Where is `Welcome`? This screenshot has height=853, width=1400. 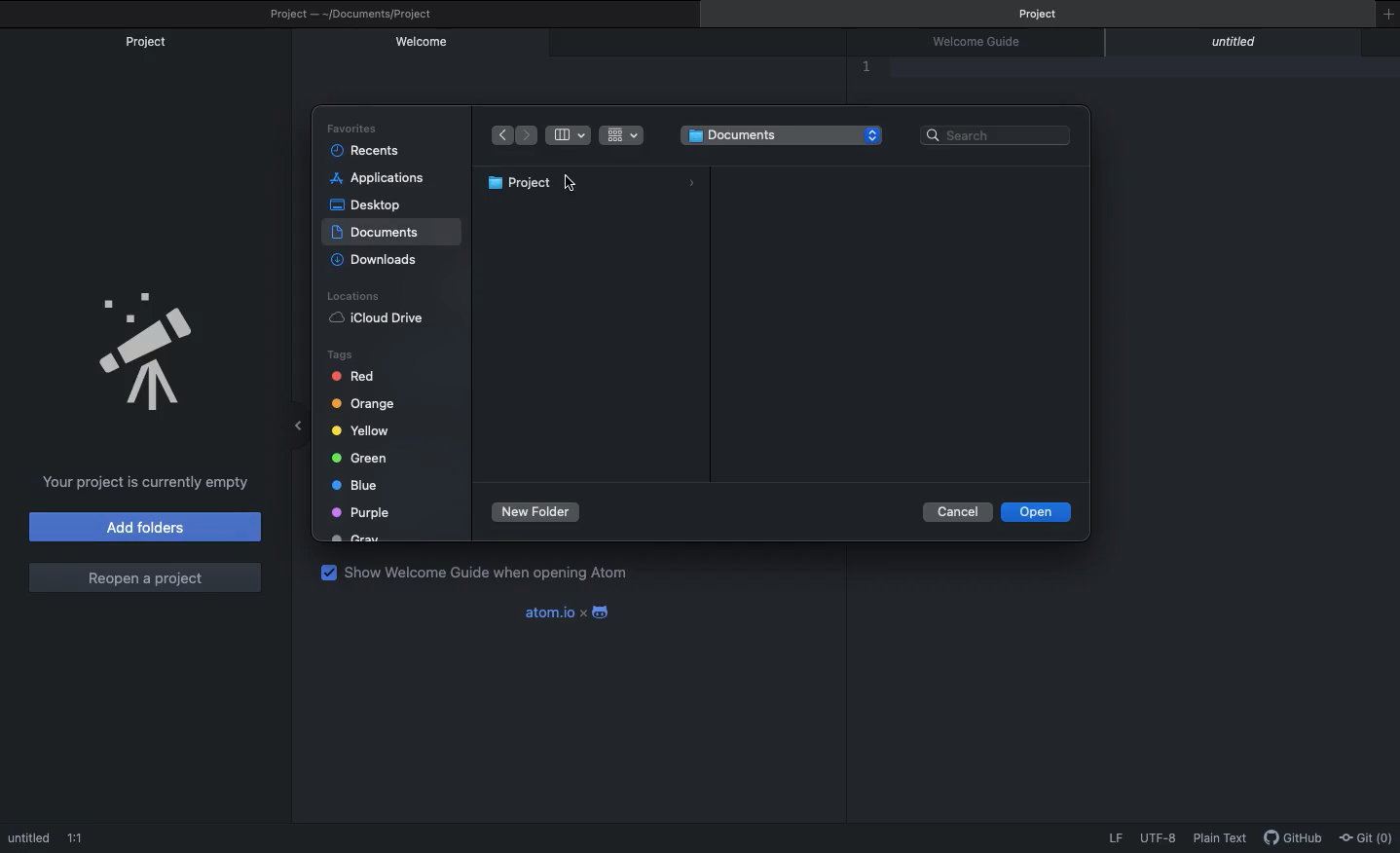
Welcome is located at coordinates (421, 44).